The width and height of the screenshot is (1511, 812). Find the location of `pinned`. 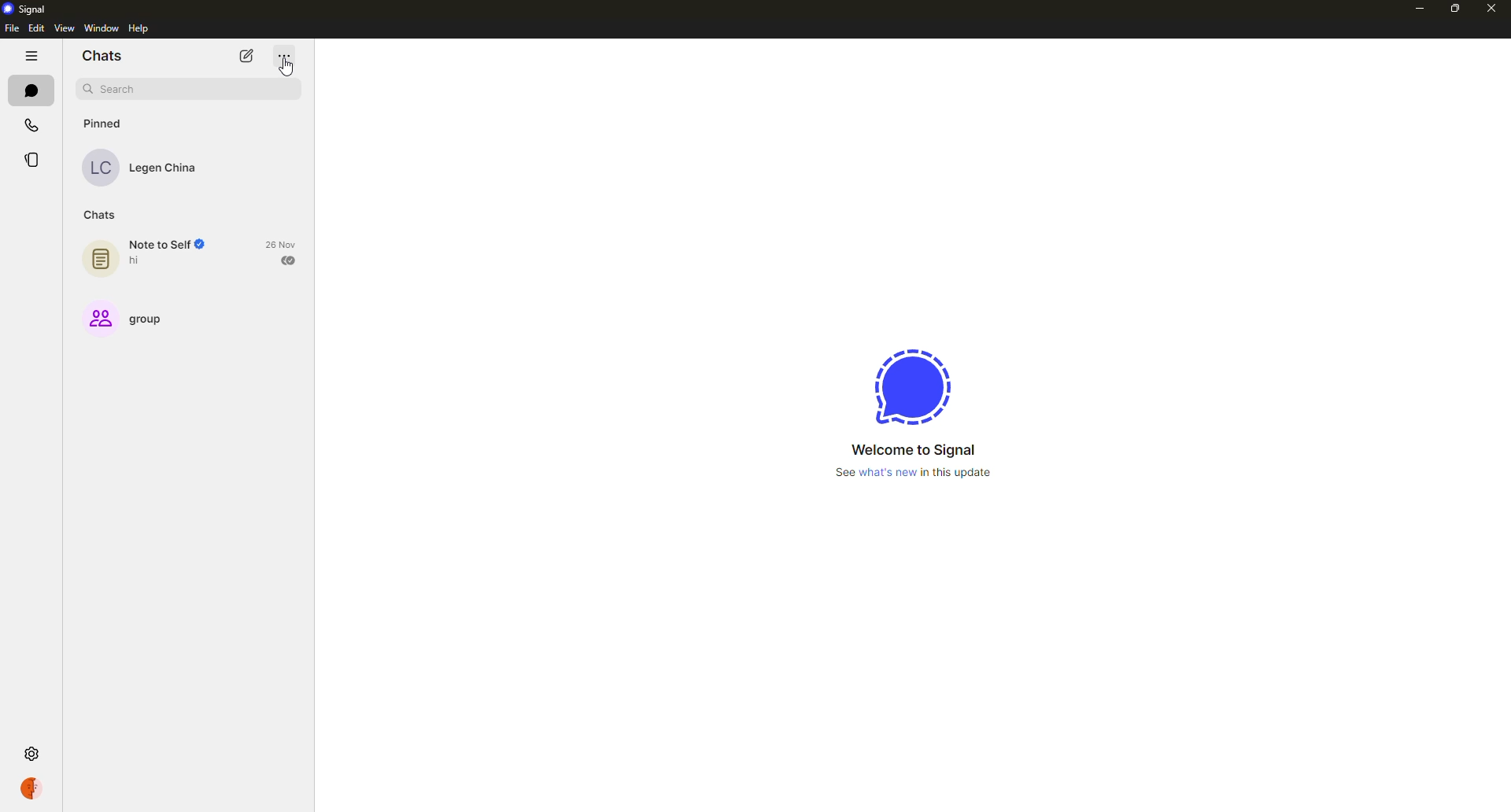

pinned is located at coordinates (104, 124).